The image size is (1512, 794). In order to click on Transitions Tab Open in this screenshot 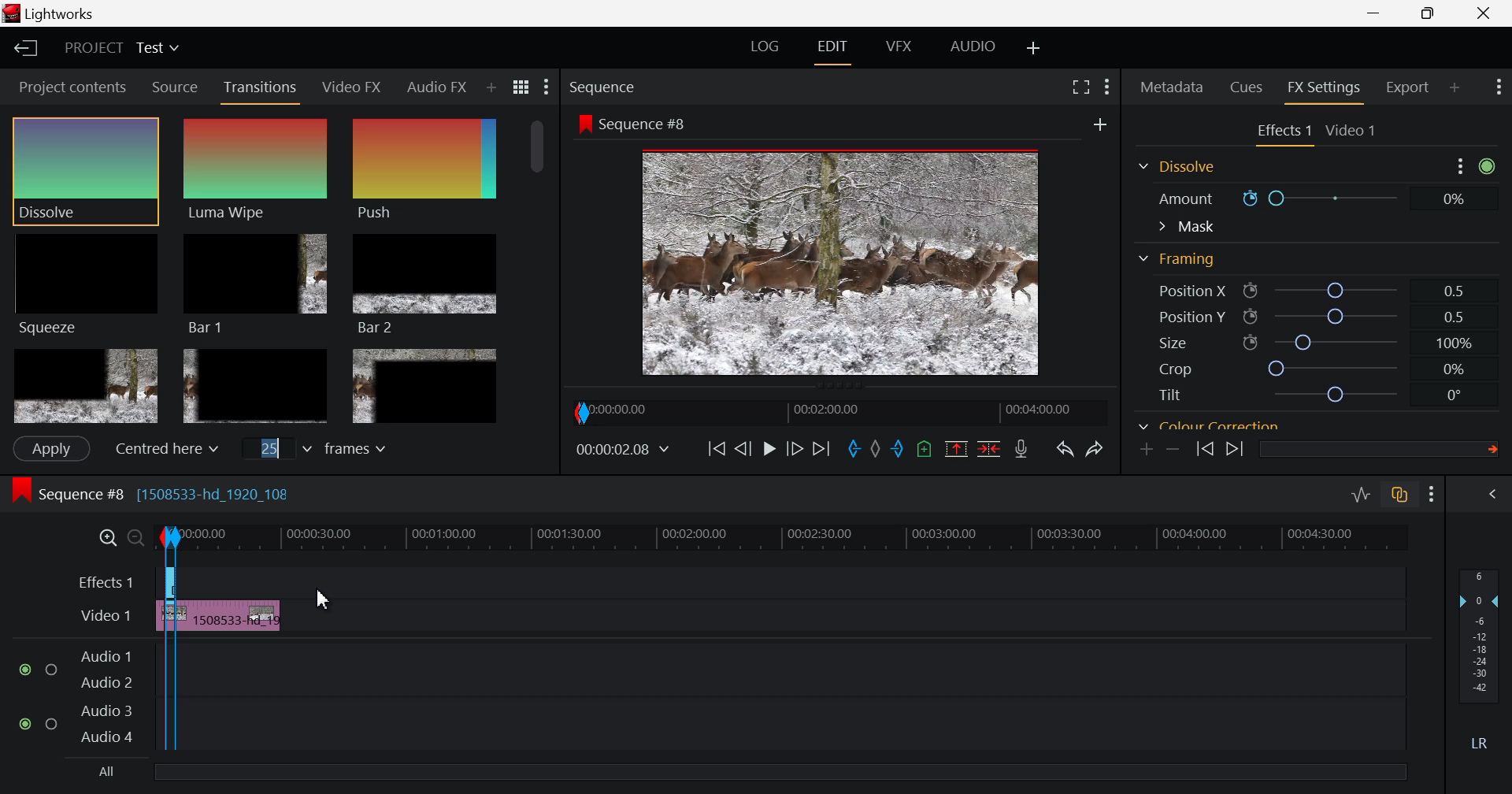, I will do `click(264, 88)`.